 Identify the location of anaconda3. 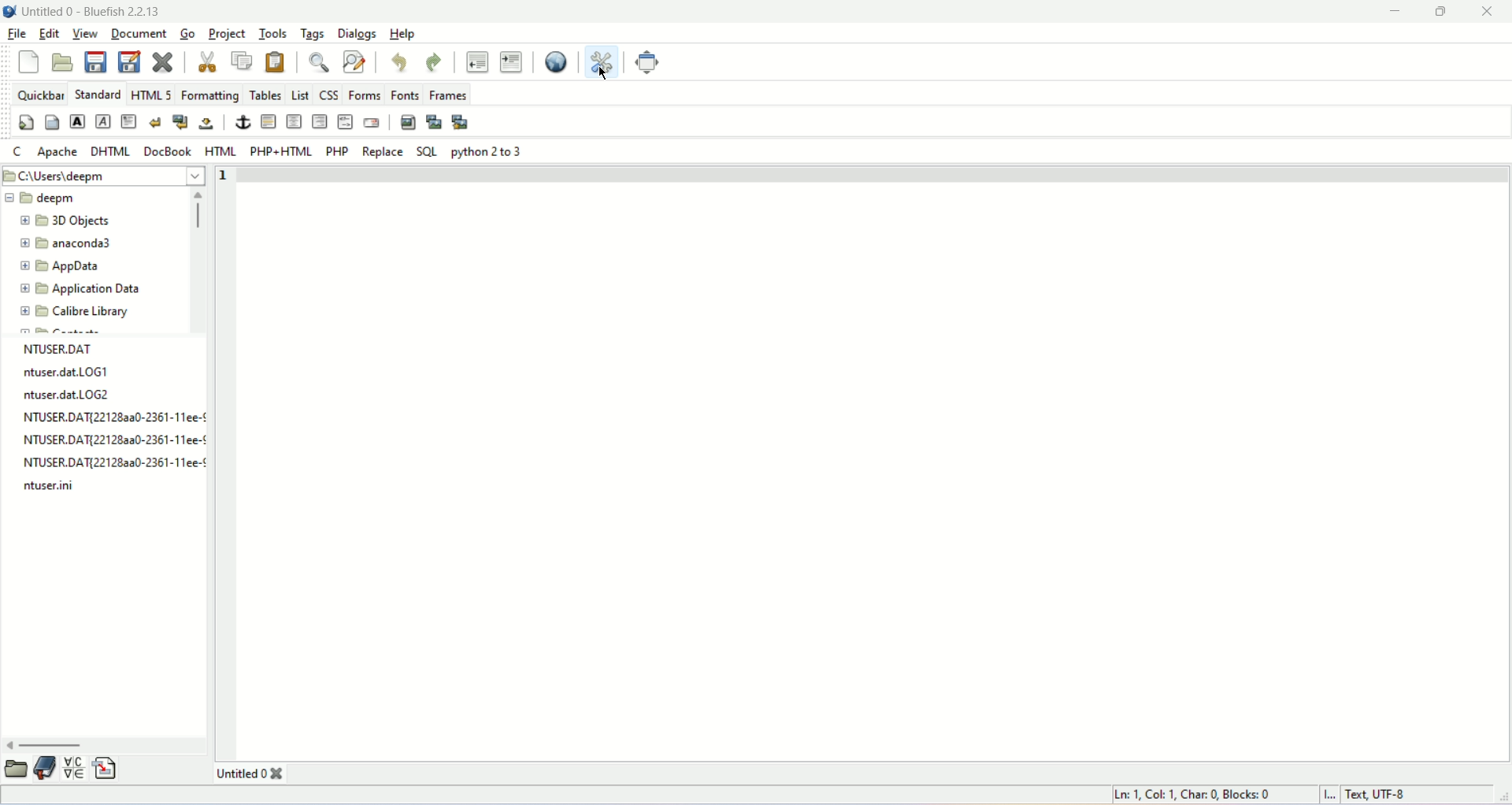
(89, 243).